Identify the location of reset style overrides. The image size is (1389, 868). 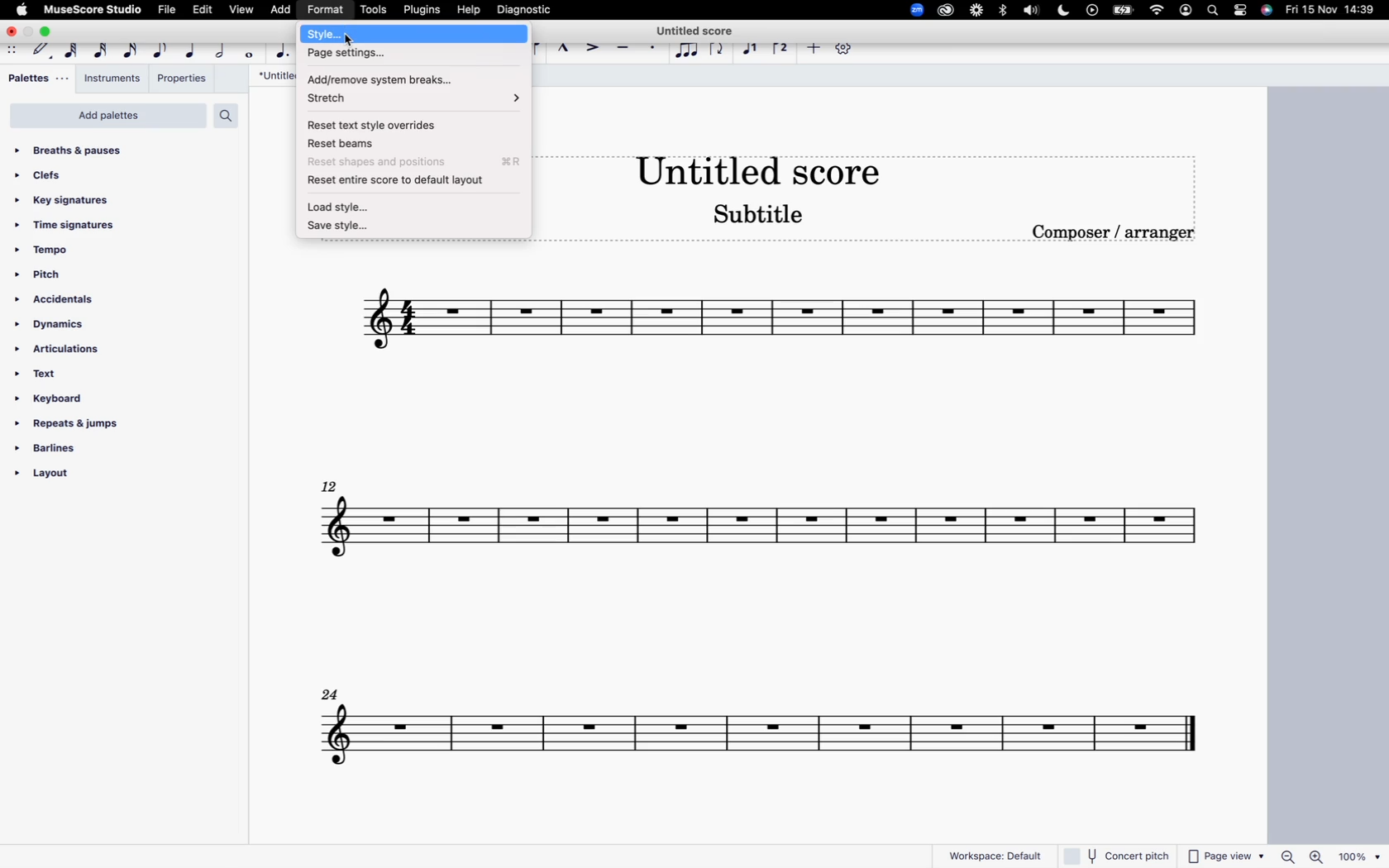
(409, 125).